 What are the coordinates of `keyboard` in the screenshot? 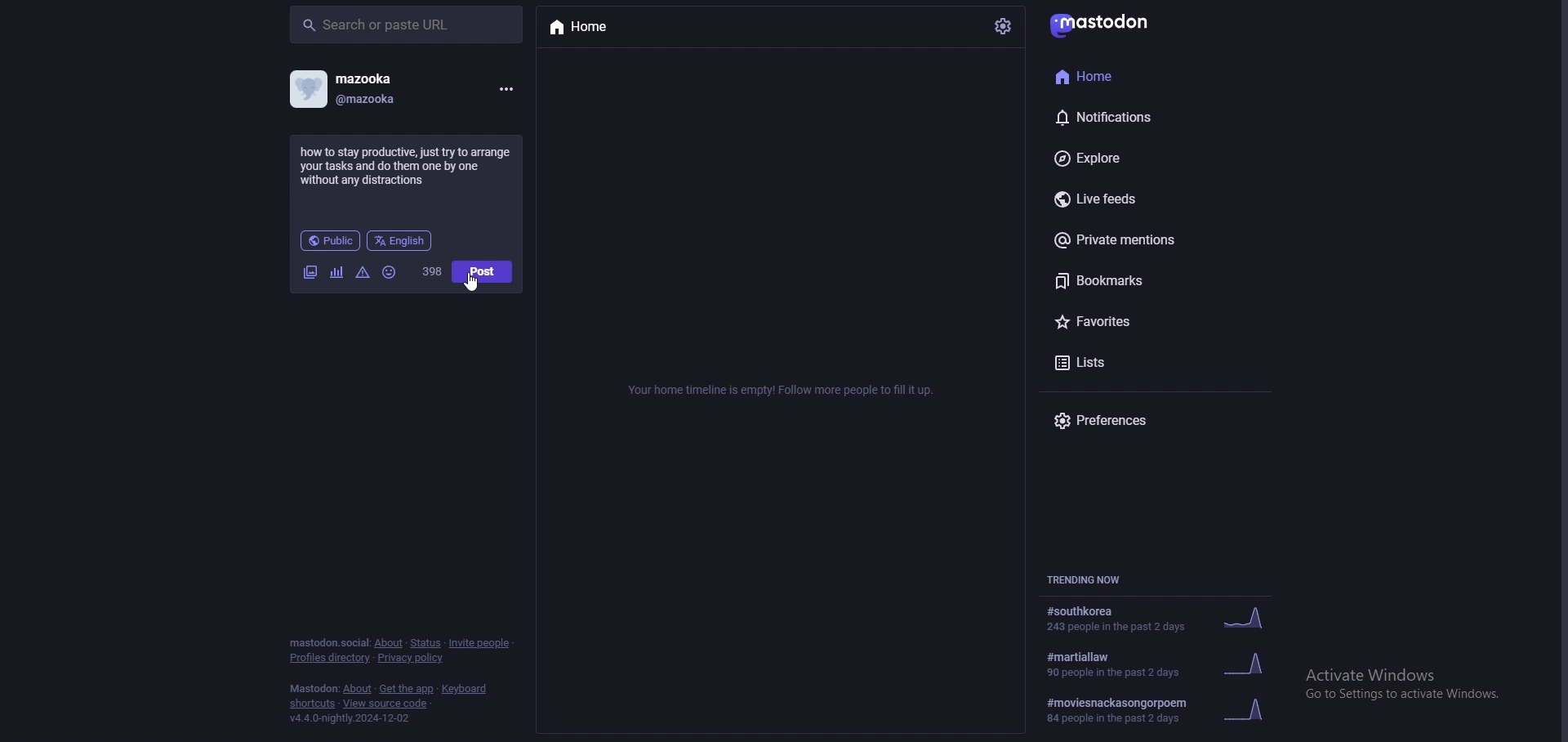 It's located at (465, 688).